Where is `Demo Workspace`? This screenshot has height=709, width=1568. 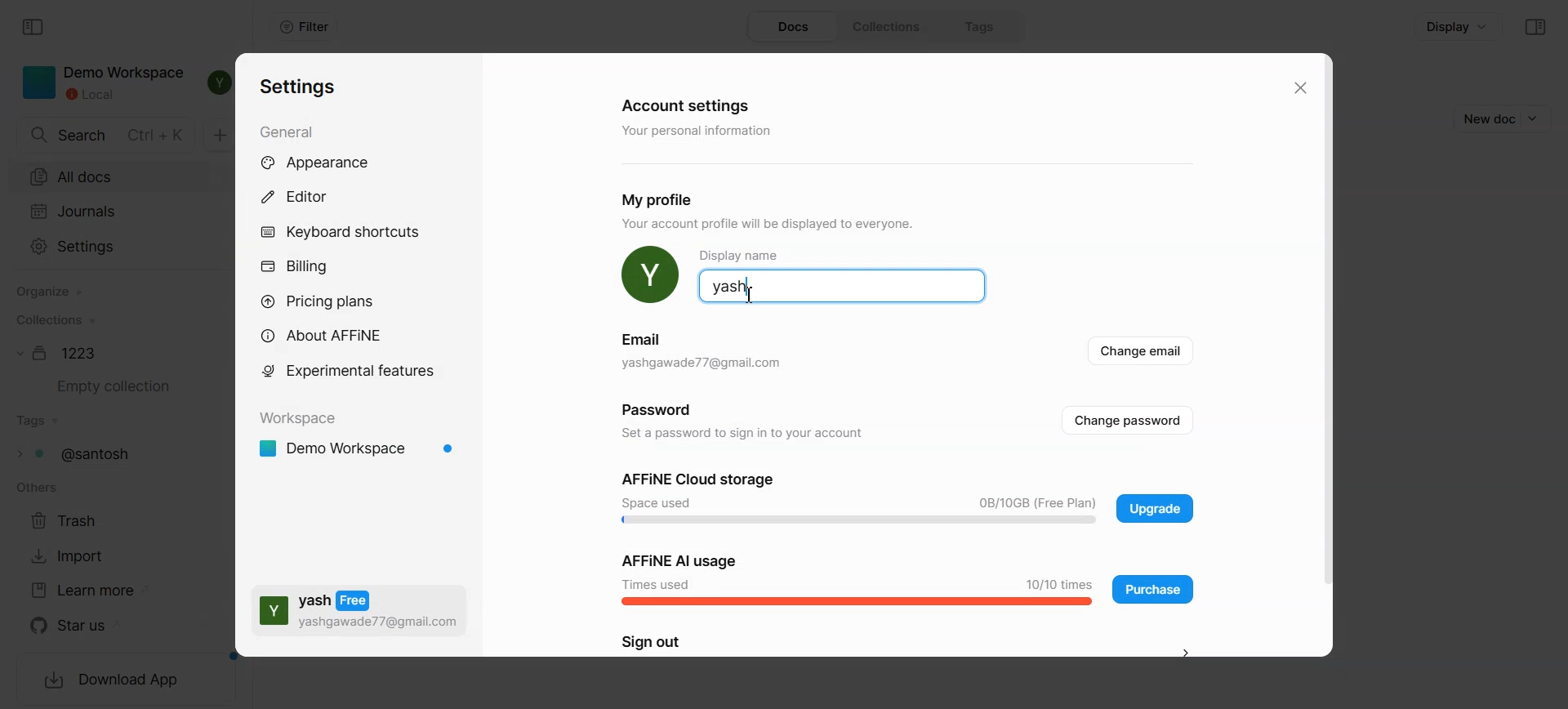 Demo Workspace is located at coordinates (104, 83).